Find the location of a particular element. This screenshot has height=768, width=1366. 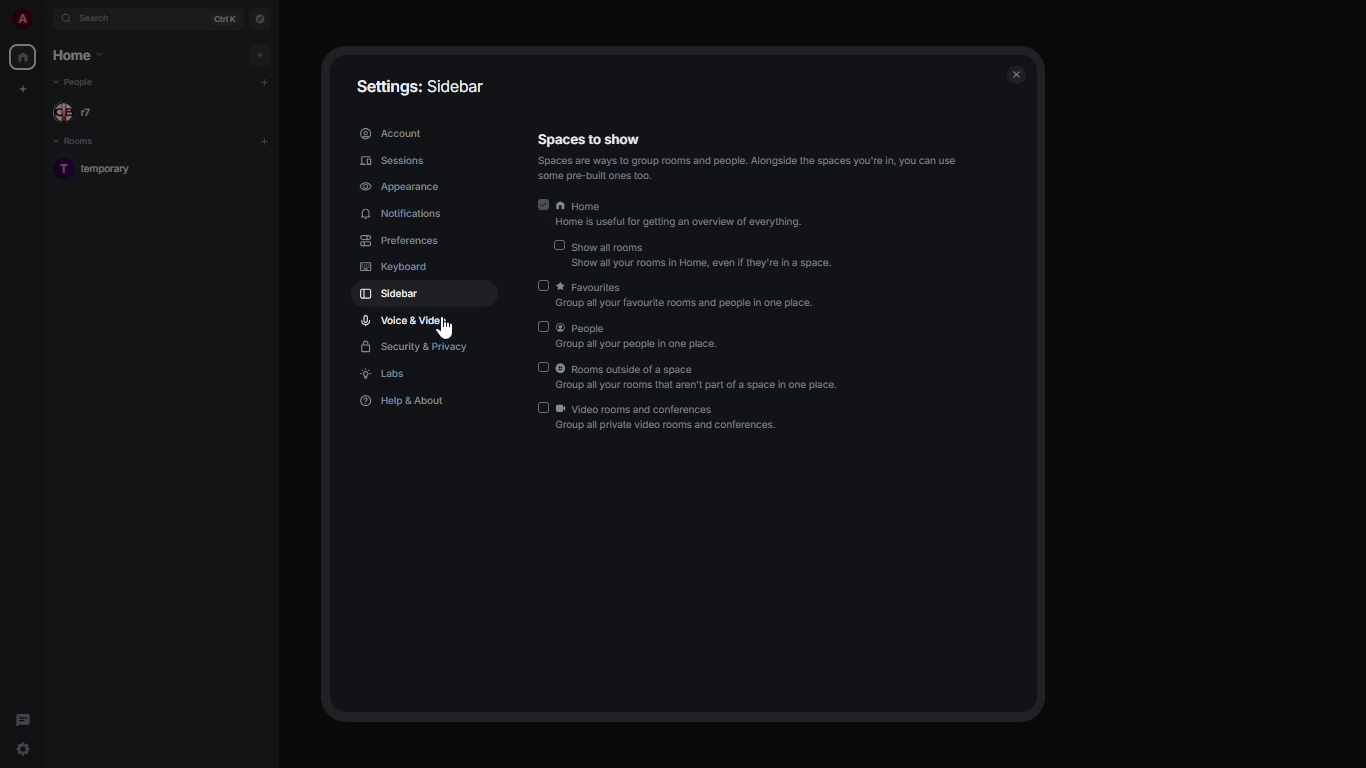

home is located at coordinates (22, 57).